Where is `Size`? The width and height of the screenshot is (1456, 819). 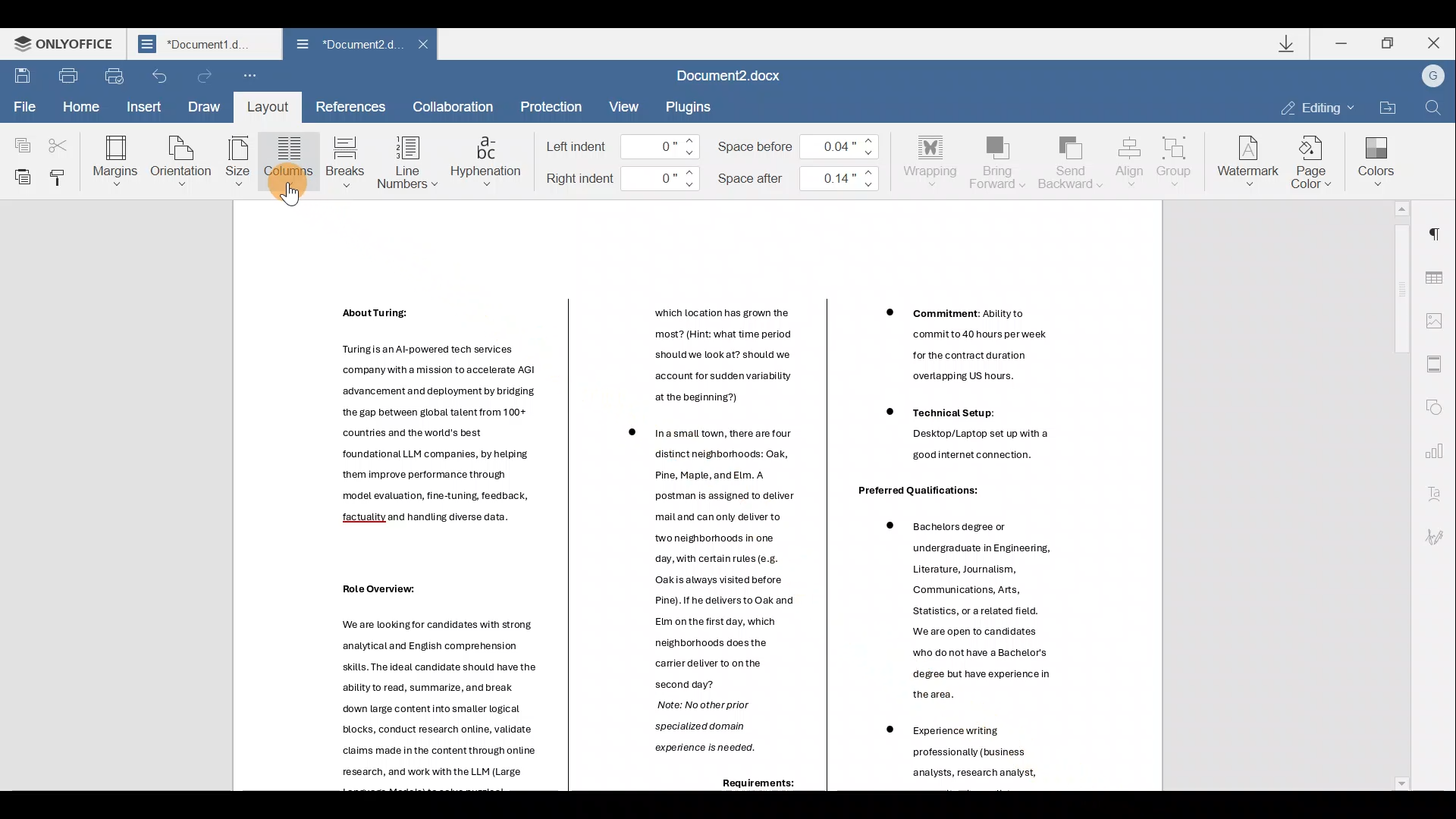 Size is located at coordinates (238, 162).